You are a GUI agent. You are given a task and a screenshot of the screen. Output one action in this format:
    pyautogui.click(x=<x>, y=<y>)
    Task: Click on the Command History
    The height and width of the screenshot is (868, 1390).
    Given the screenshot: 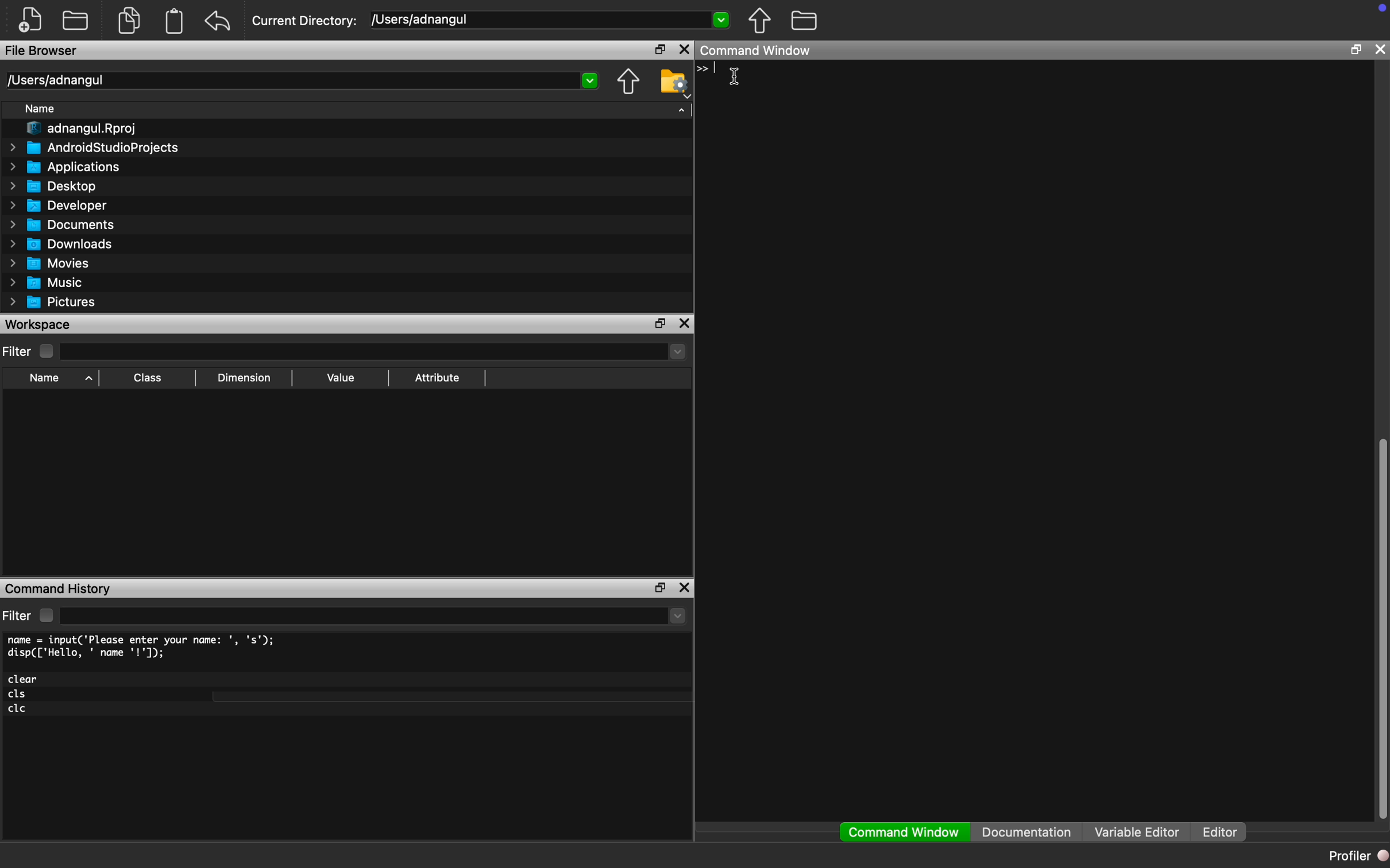 What is the action you would take?
    pyautogui.click(x=58, y=590)
    